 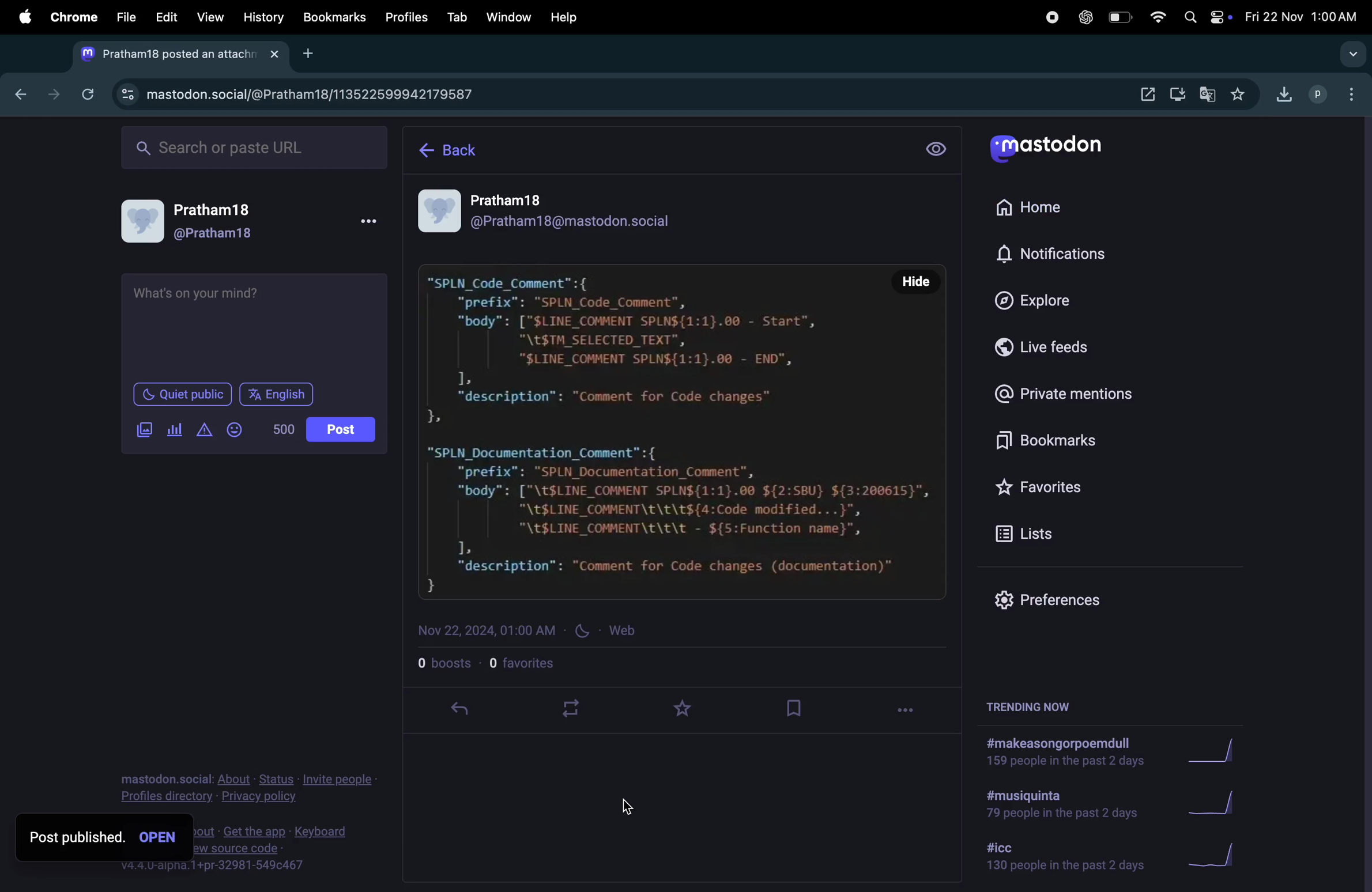 I want to click on home, so click(x=1053, y=211).